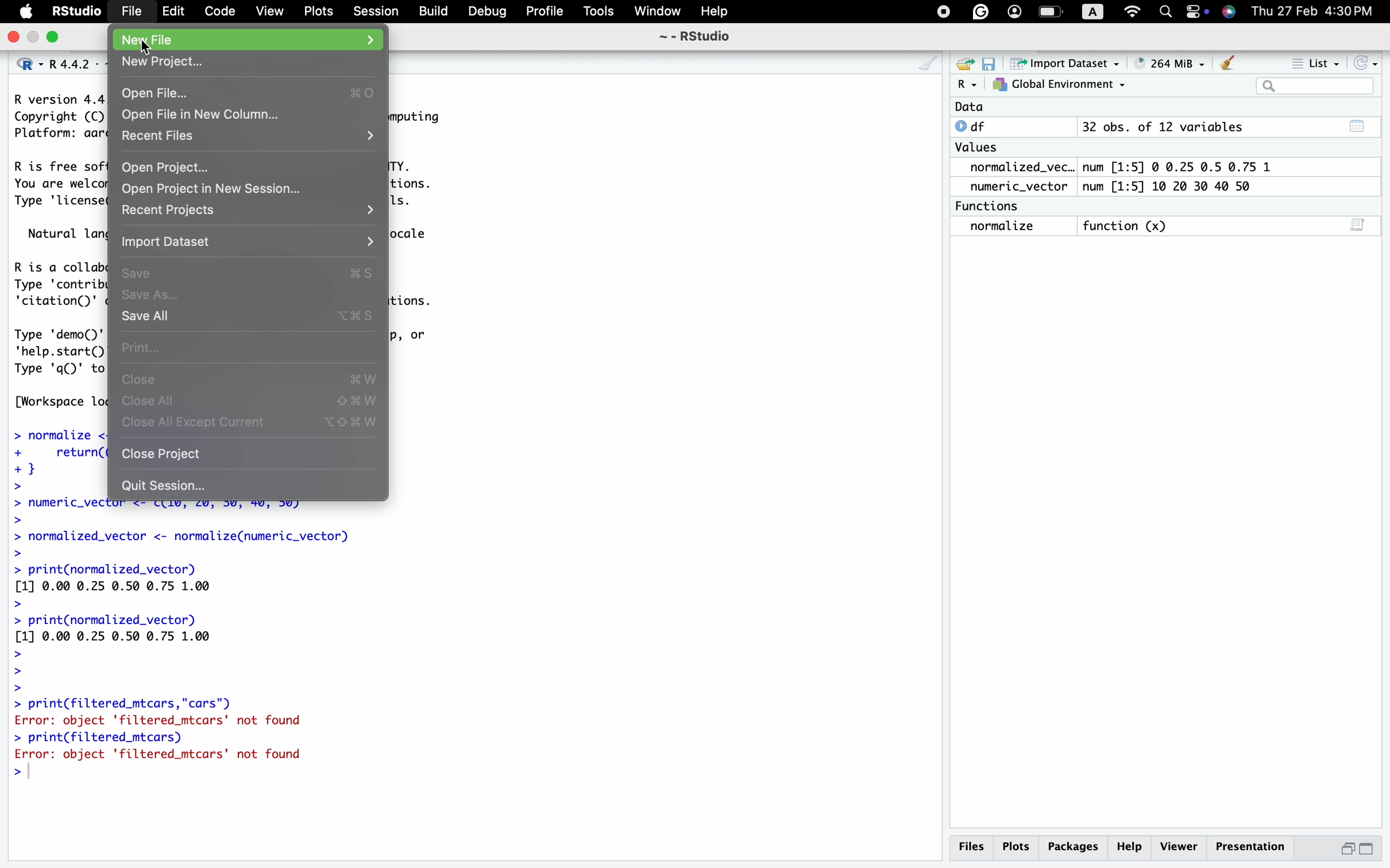 This screenshot has width=1390, height=868. I want to click on Thu 27 Feb 4:30 PM, so click(1317, 11).